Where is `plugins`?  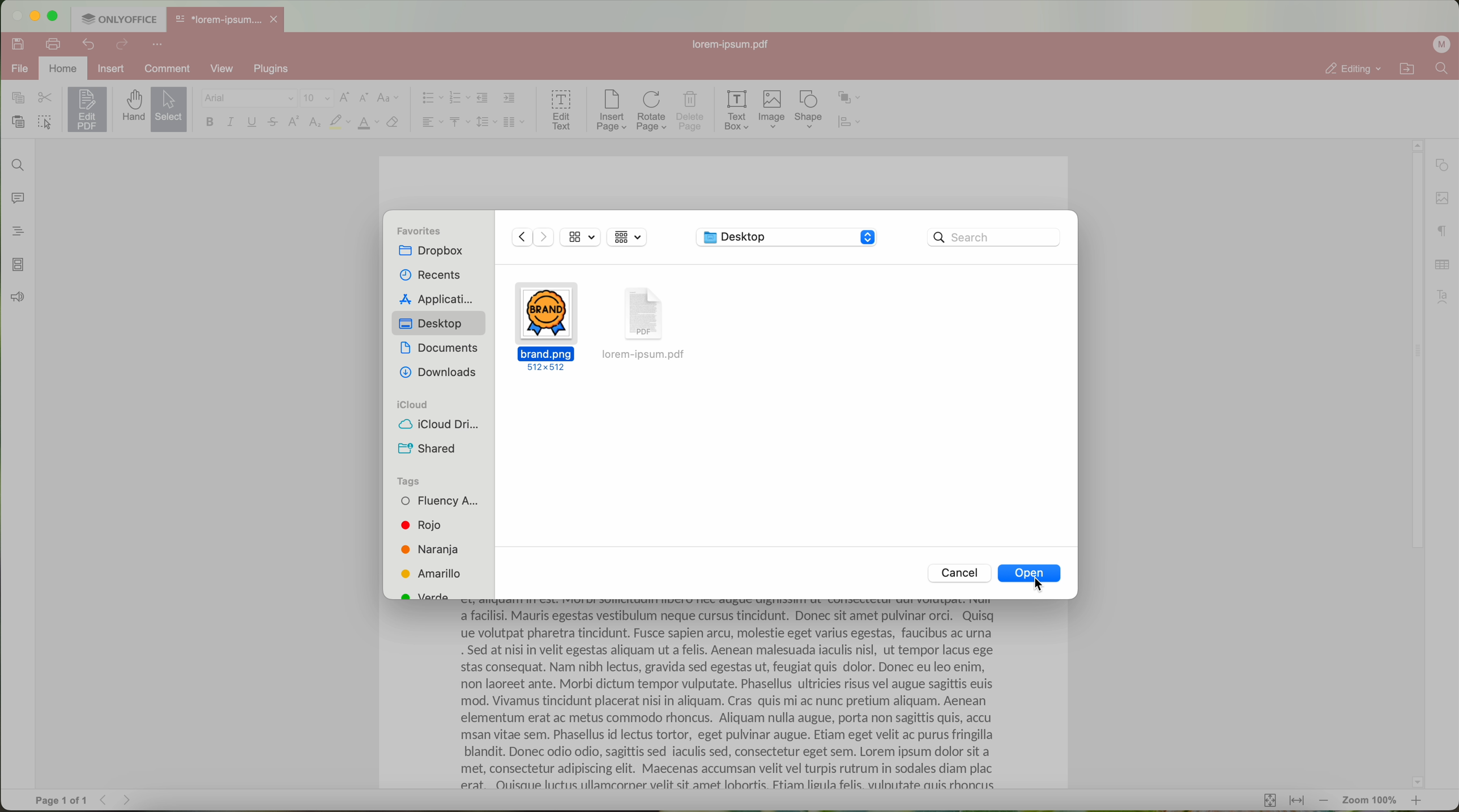
plugins is located at coordinates (278, 69).